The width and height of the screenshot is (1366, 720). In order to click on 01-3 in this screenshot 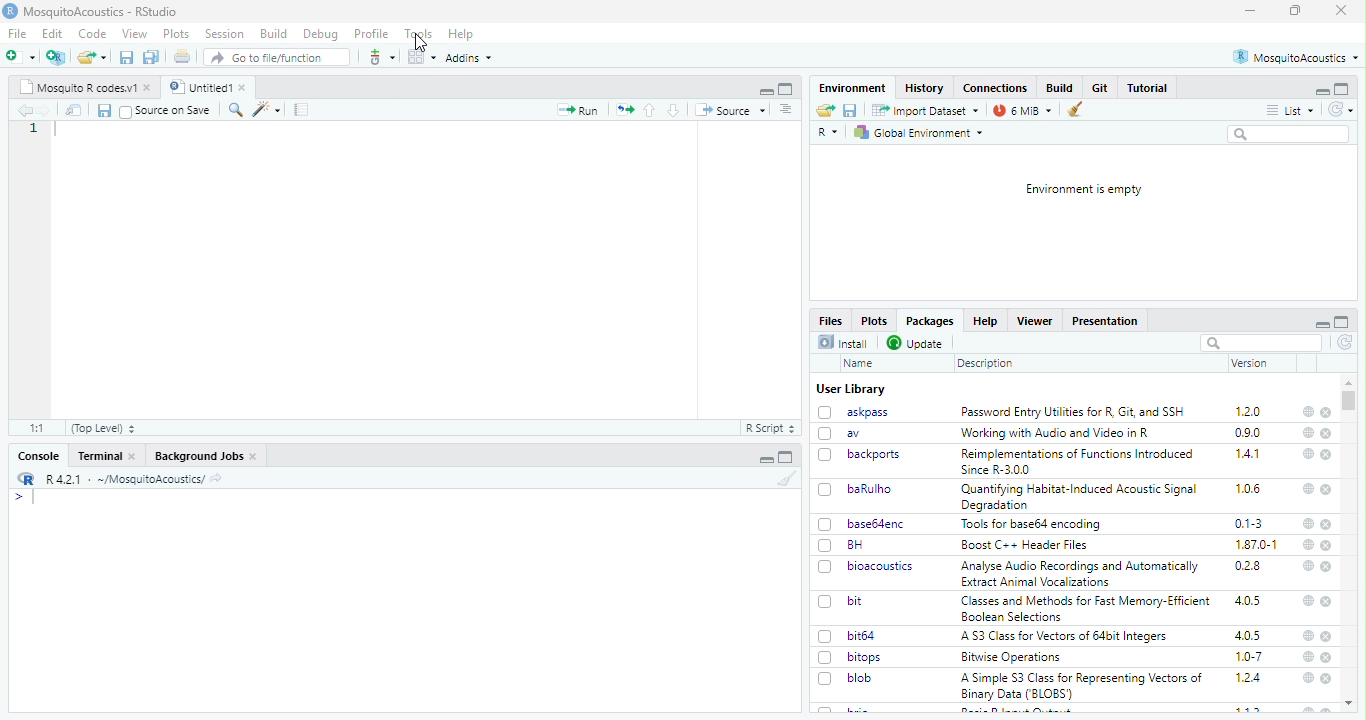, I will do `click(1249, 523)`.